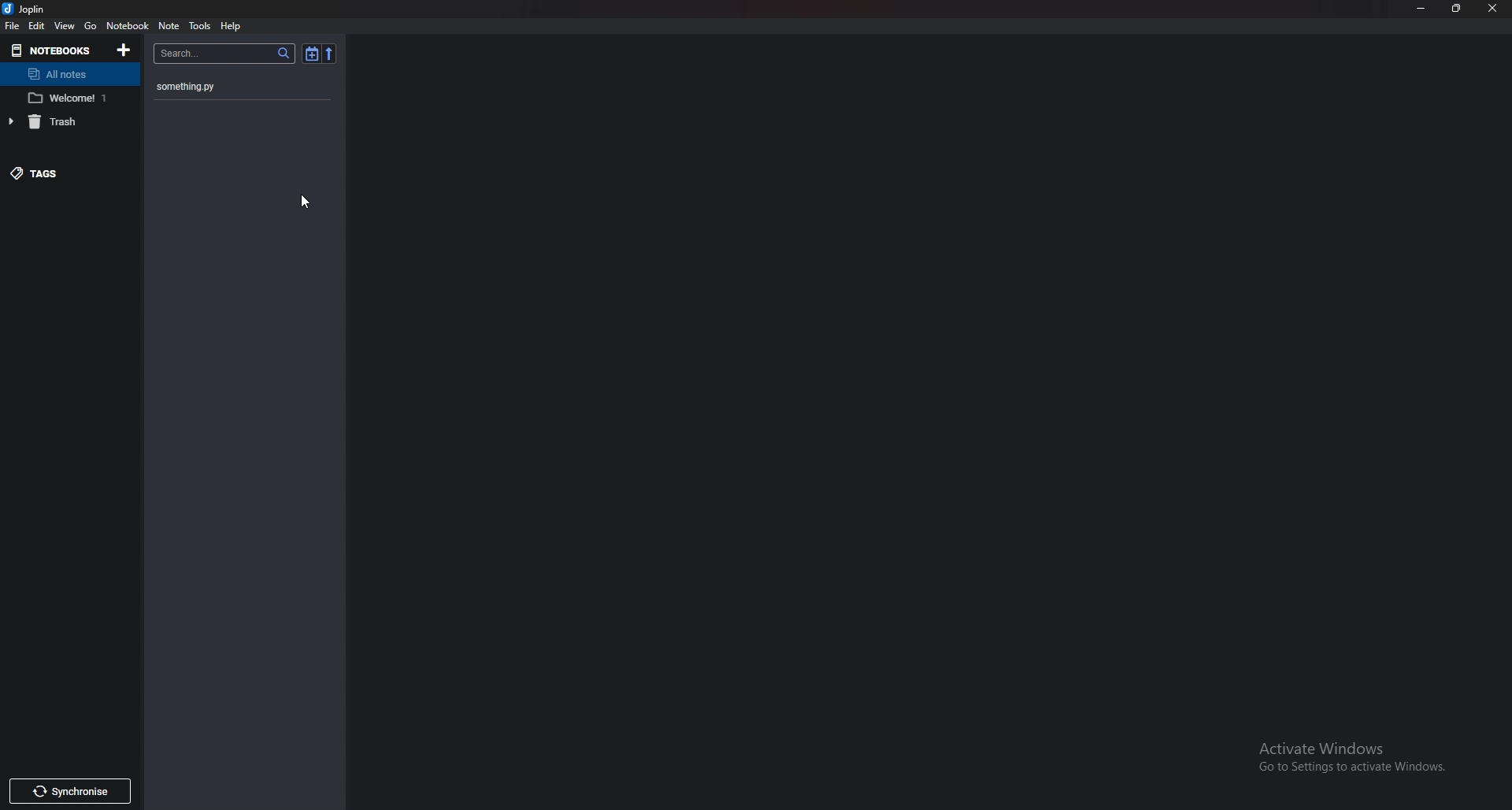 This screenshot has width=1512, height=810. I want to click on Edit, so click(37, 26).